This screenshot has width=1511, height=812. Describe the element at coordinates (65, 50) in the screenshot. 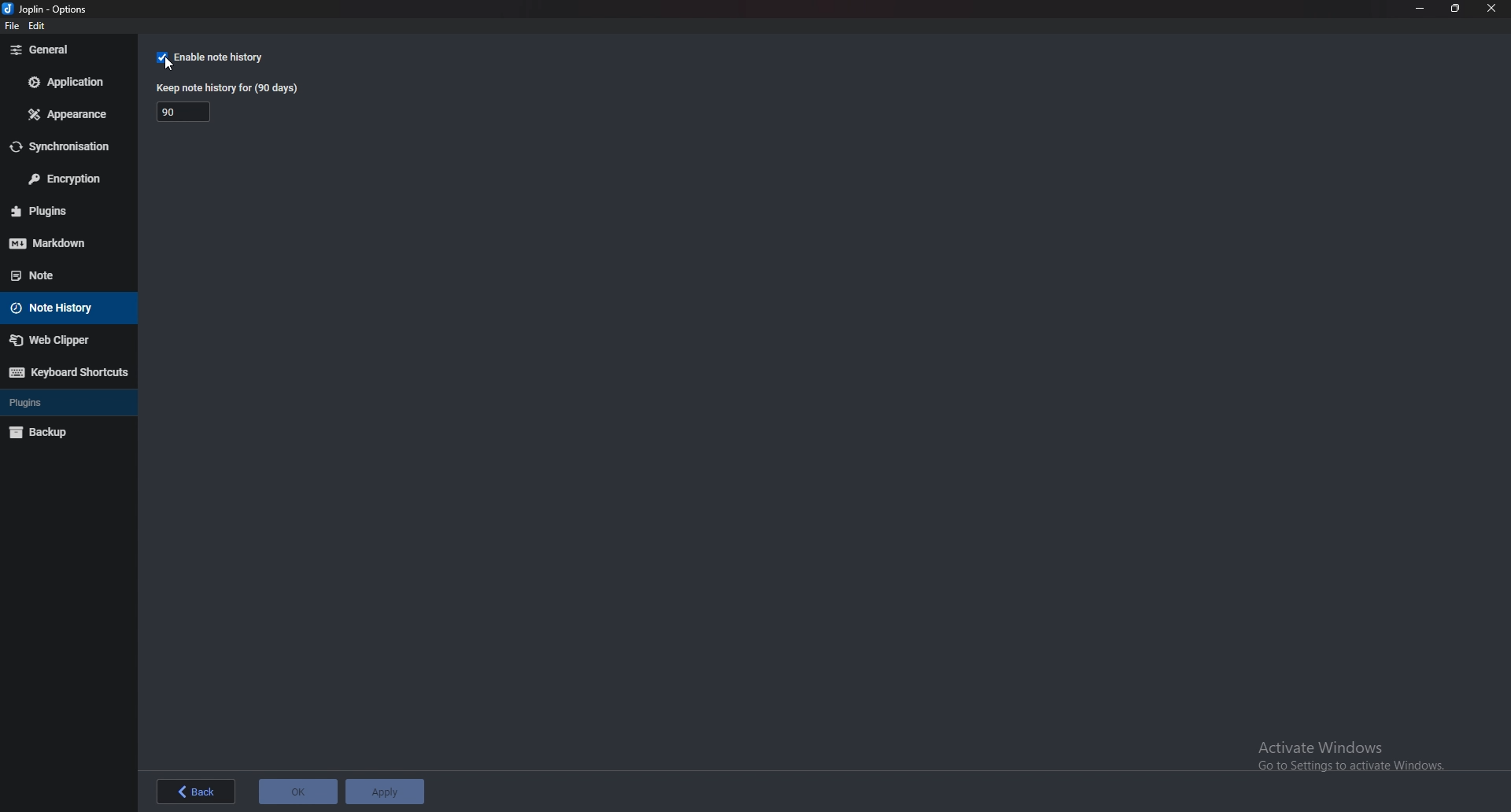

I see `general` at that location.